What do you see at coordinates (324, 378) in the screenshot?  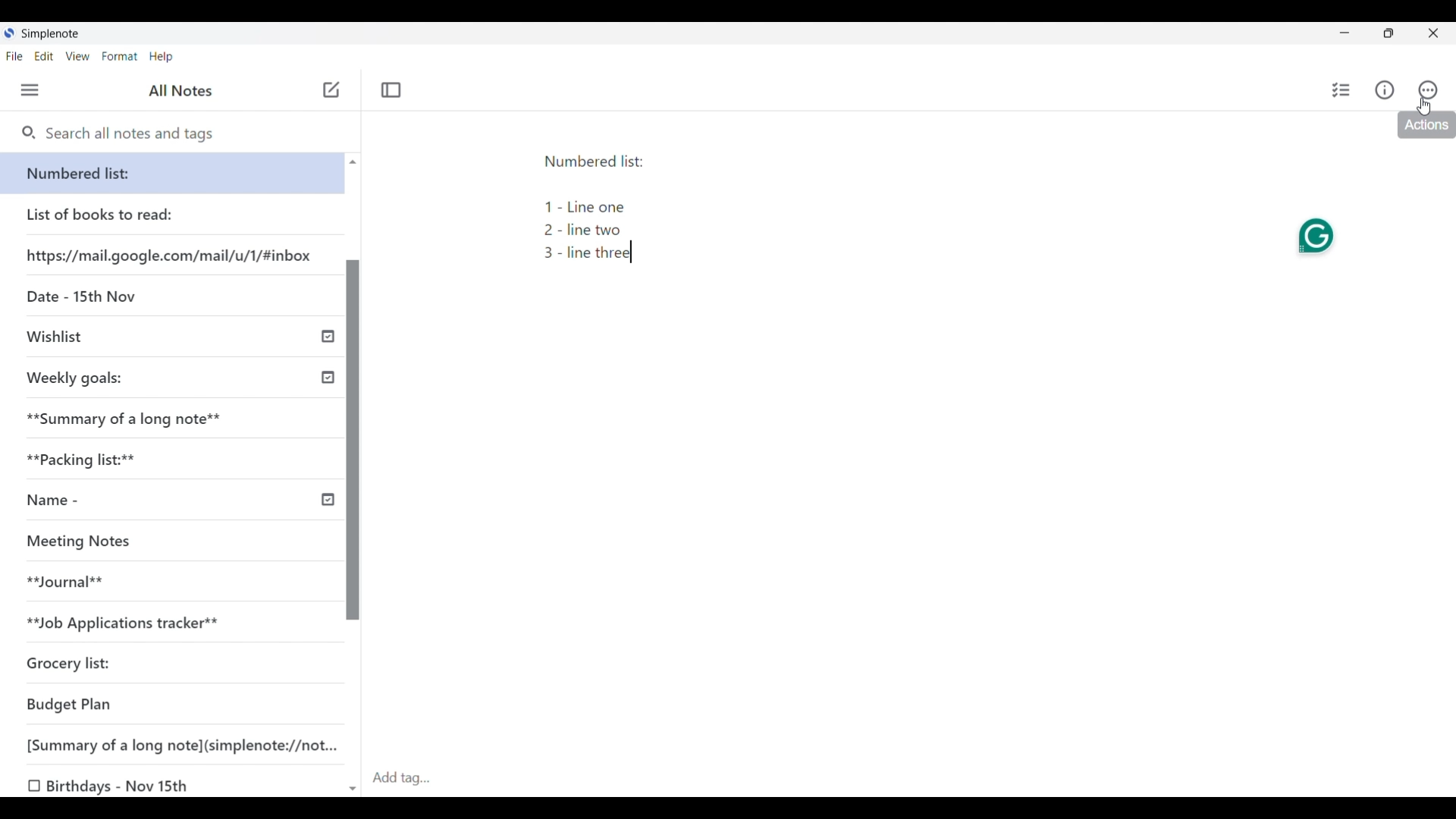 I see `timeline` at bounding box center [324, 378].